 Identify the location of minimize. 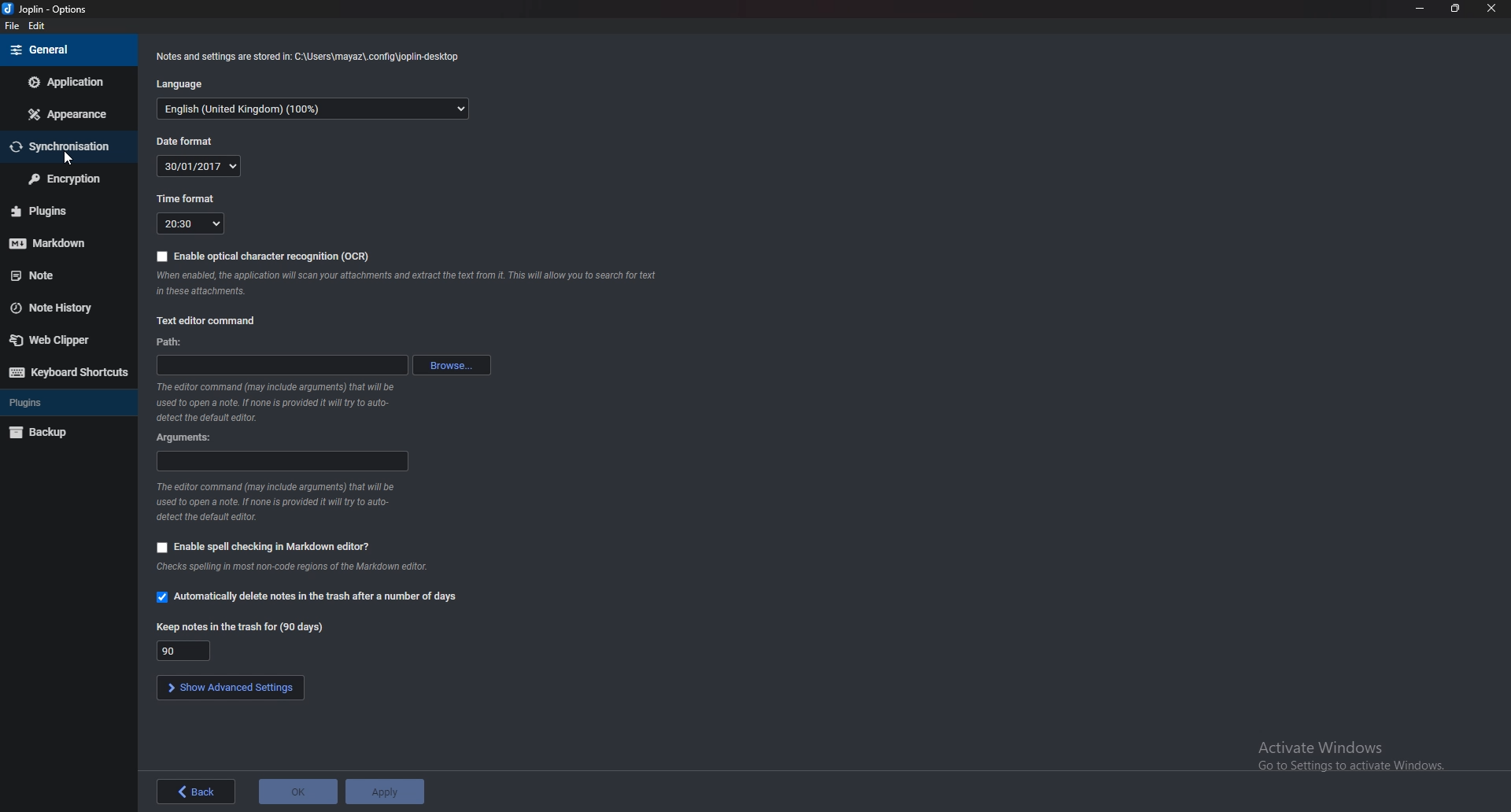
(1420, 7).